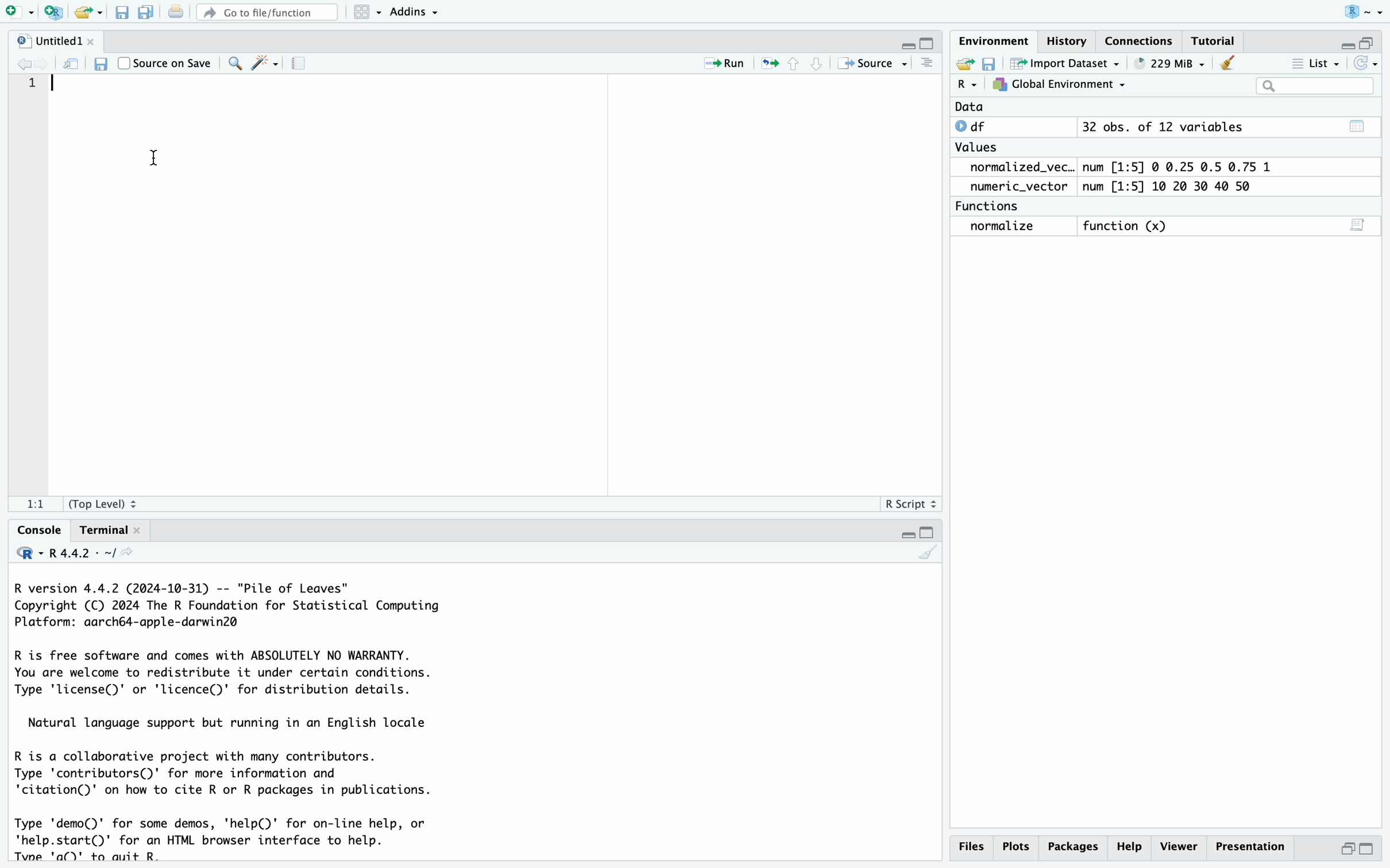  What do you see at coordinates (1230, 62) in the screenshot?
I see `clear data` at bounding box center [1230, 62].